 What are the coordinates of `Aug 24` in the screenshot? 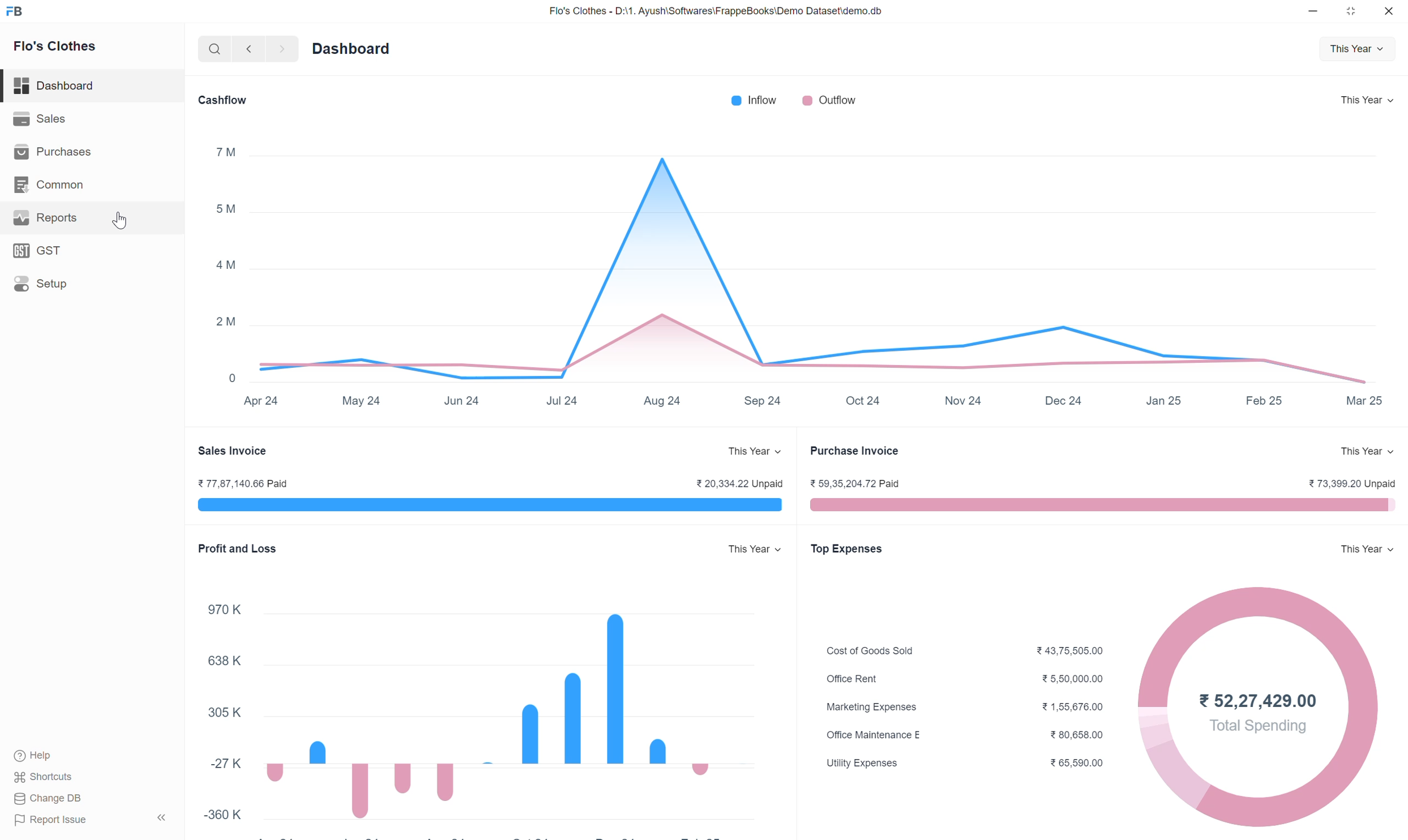 It's located at (662, 400).